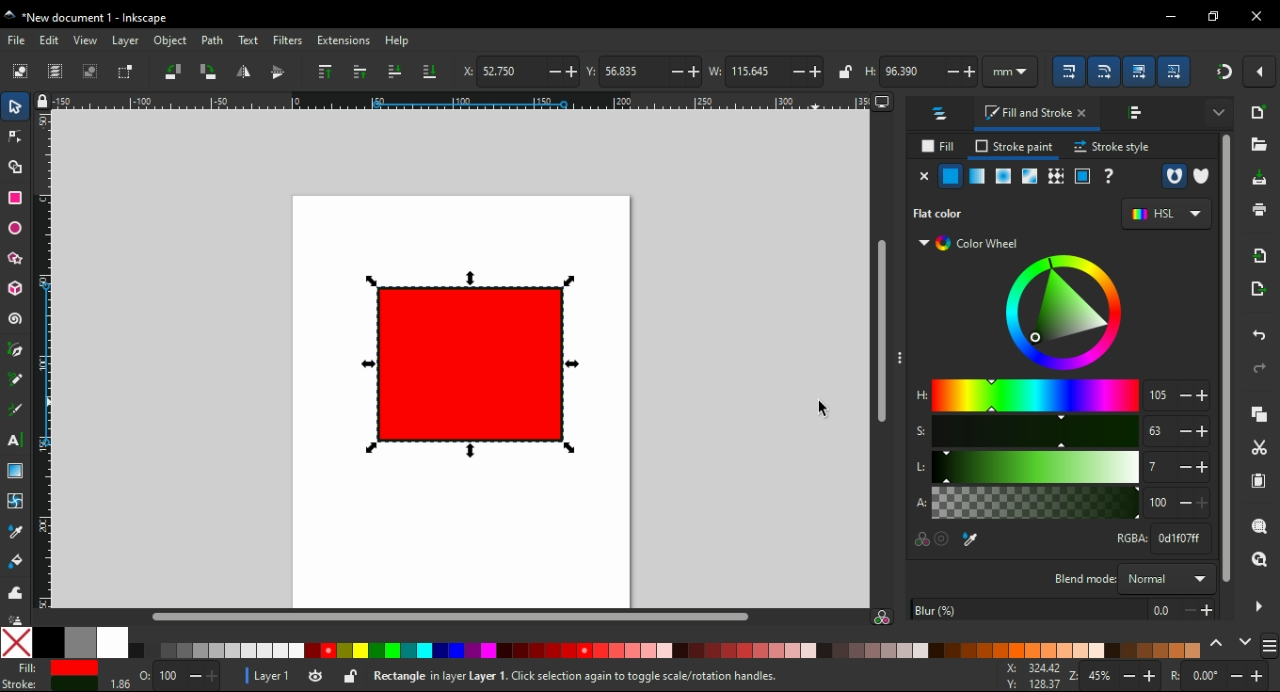  Describe the element at coordinates (271, 677) in the screenshot. I see `layer1` at that location.